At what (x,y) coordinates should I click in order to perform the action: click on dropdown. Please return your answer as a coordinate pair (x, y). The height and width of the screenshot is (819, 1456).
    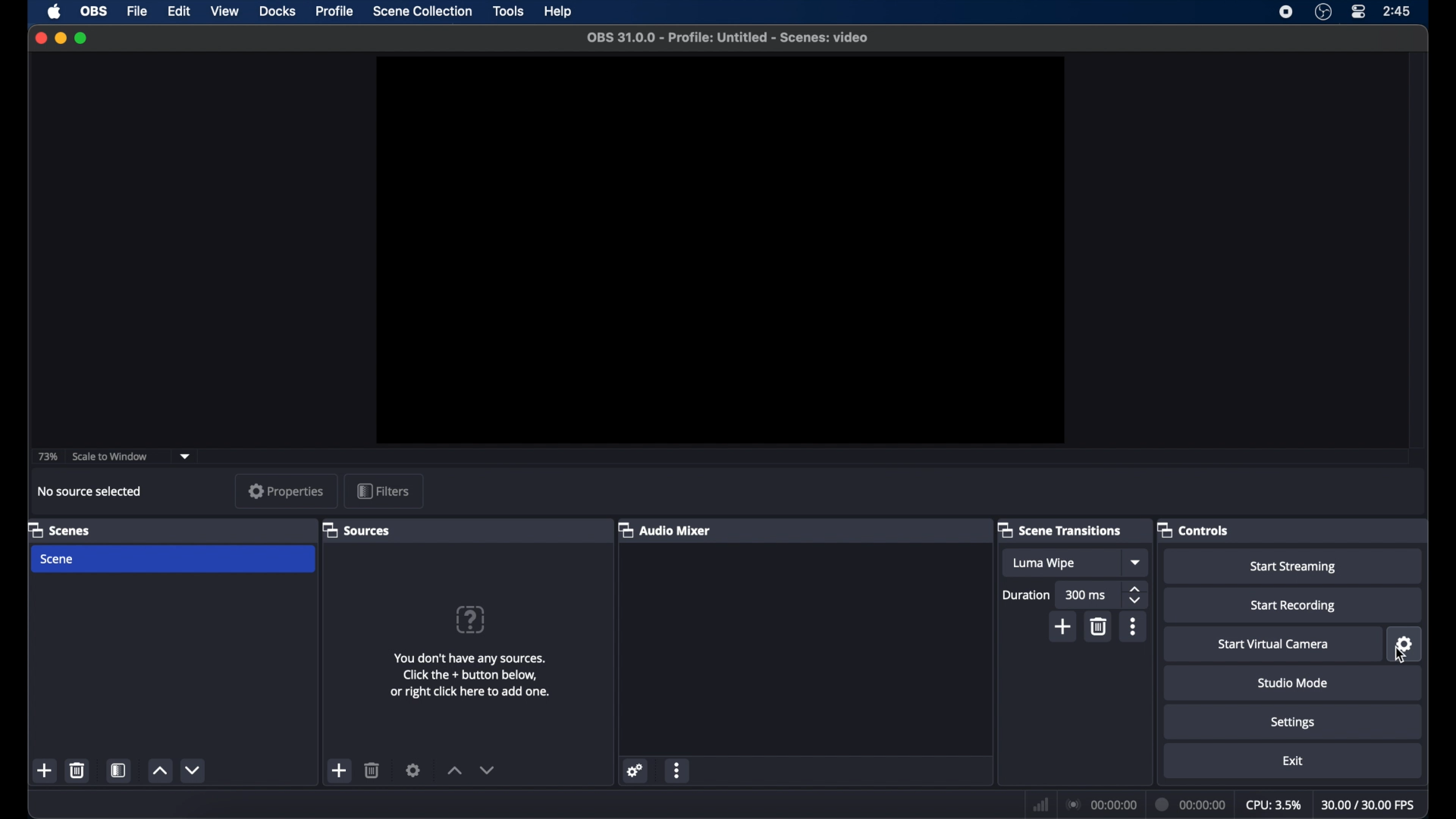
    Looking at the image, I should click on (186, 455).